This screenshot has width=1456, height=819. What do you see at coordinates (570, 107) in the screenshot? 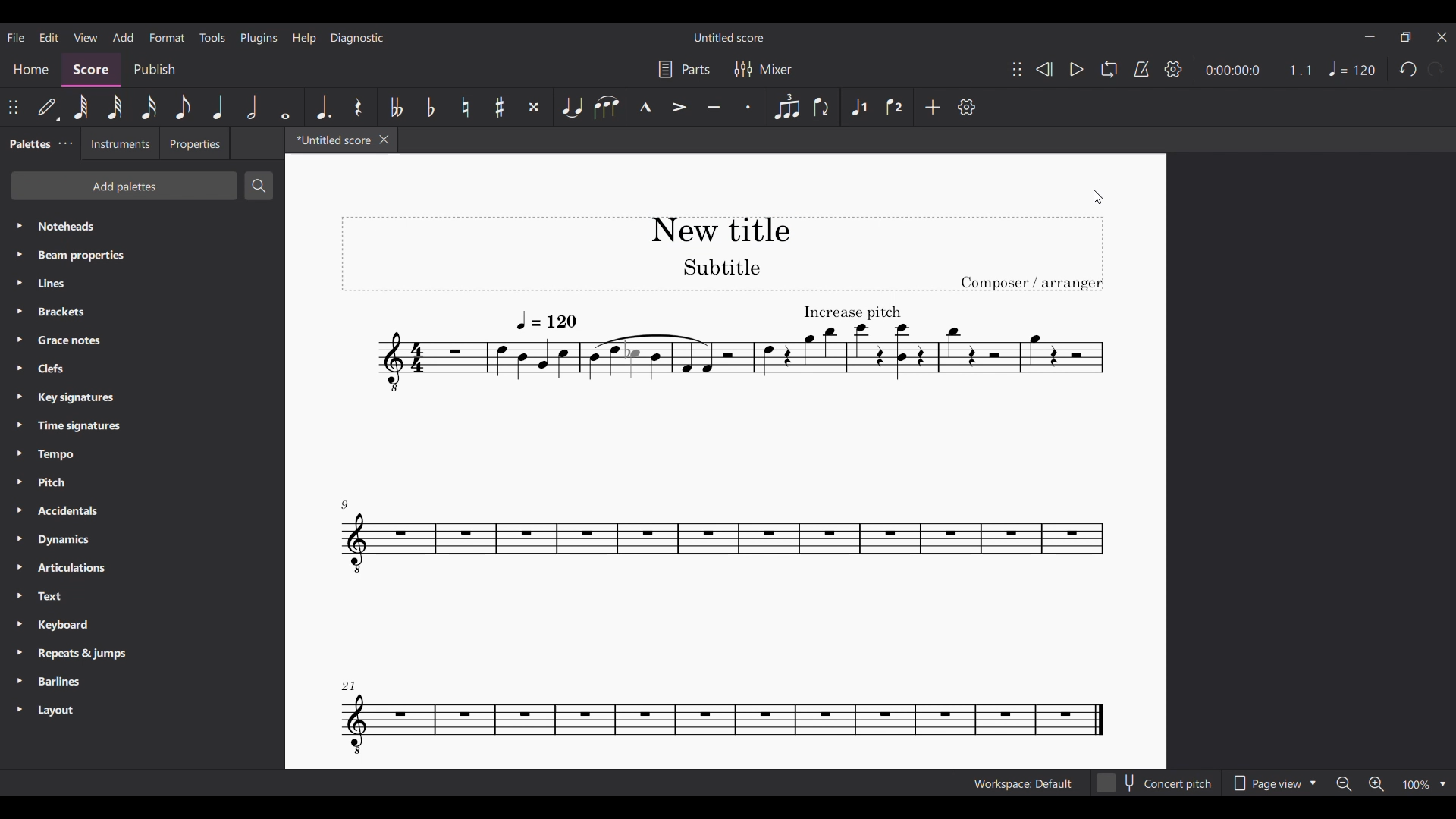
I see `Tie` at bounding box center [570, 107].